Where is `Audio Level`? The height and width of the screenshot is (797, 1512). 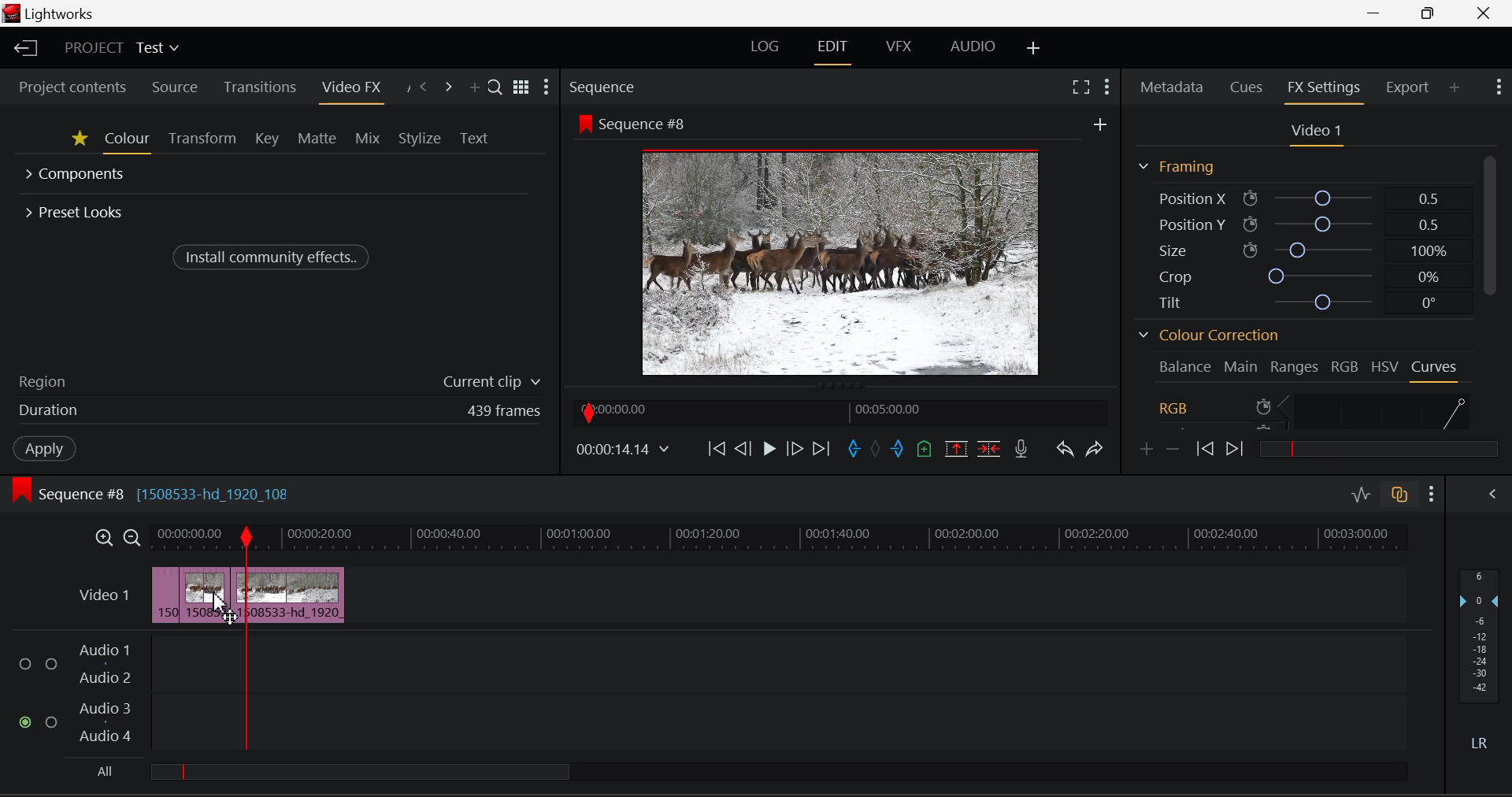 Audio Level is located at coordinates (717, 691).